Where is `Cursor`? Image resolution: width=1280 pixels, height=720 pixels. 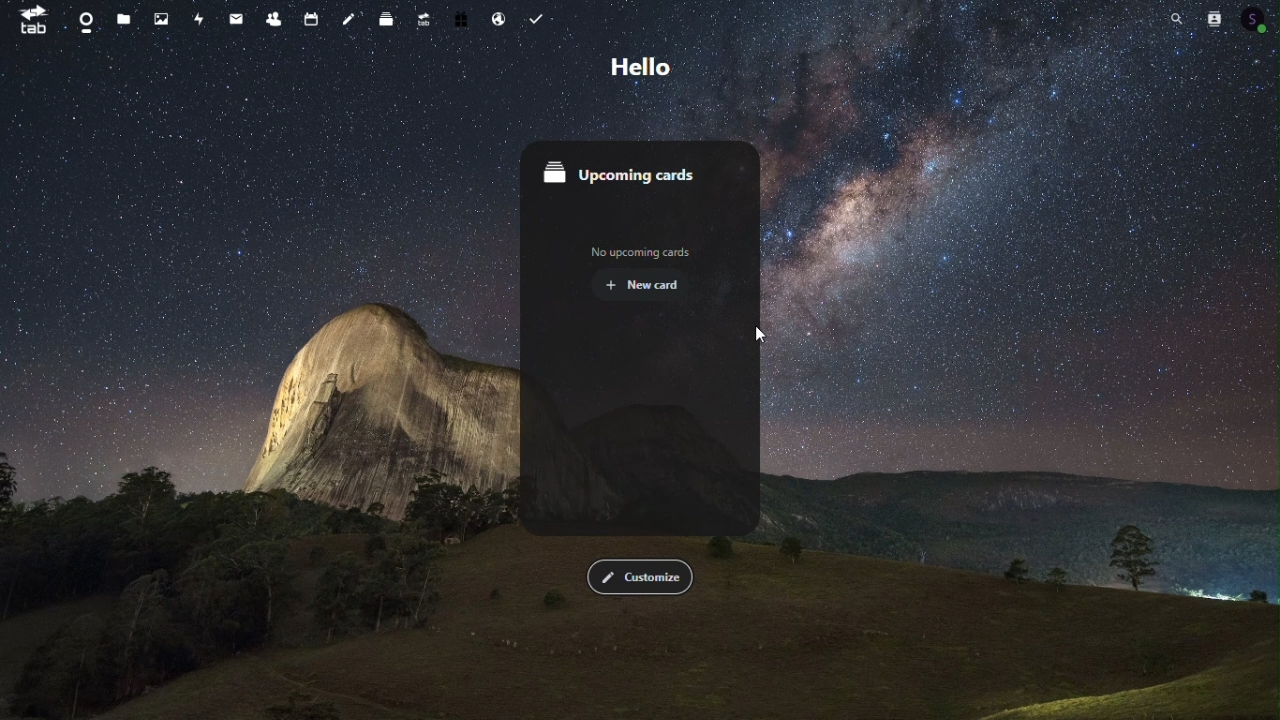 Cursor is located at coordinates (759, 336).